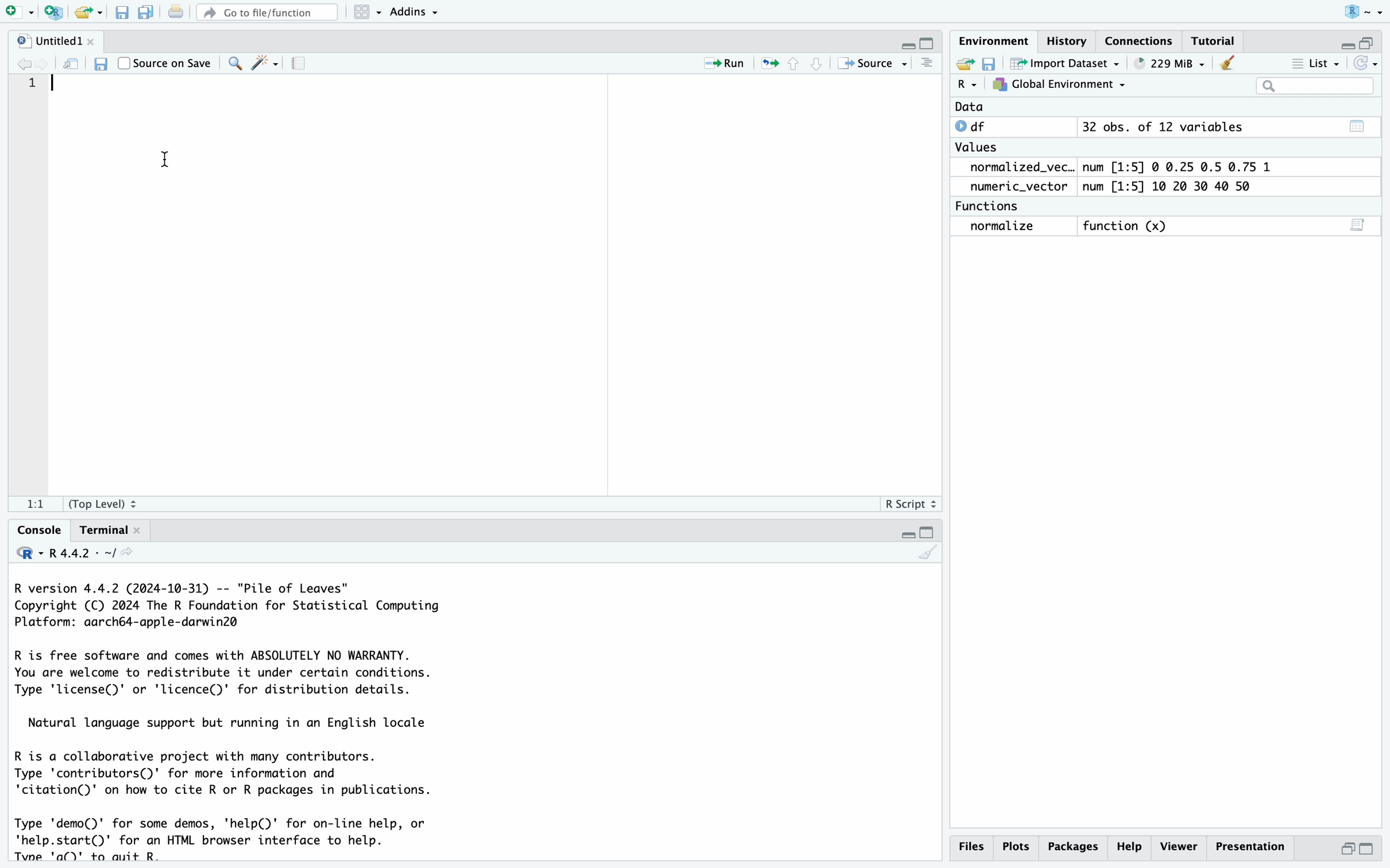  What do you see at coordinates (177, 12) in the screenshot?
I see `print the current file` at bounding box center [177, 12].